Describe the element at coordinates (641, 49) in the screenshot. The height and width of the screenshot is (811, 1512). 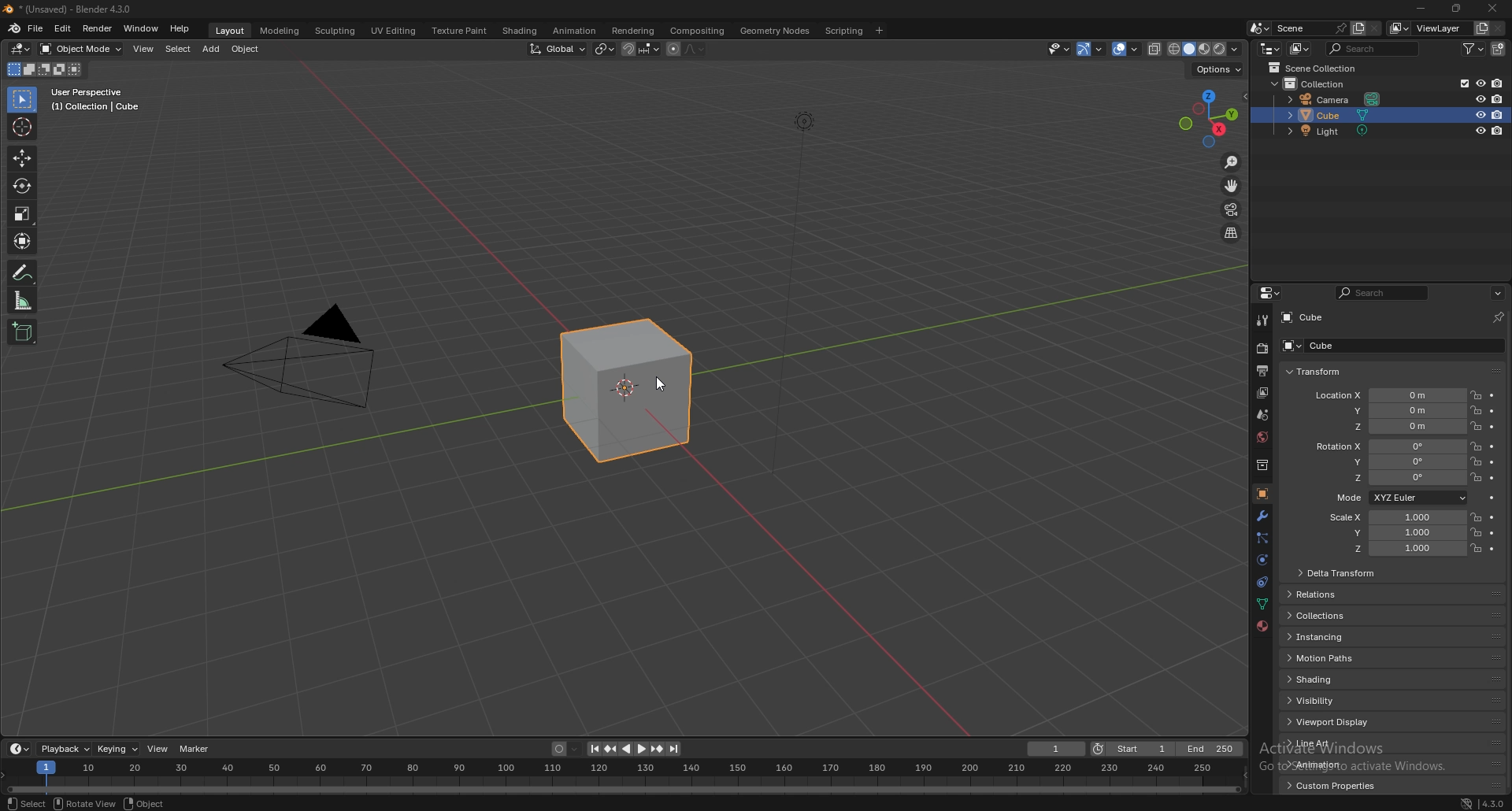
I see `snapping` at that location.